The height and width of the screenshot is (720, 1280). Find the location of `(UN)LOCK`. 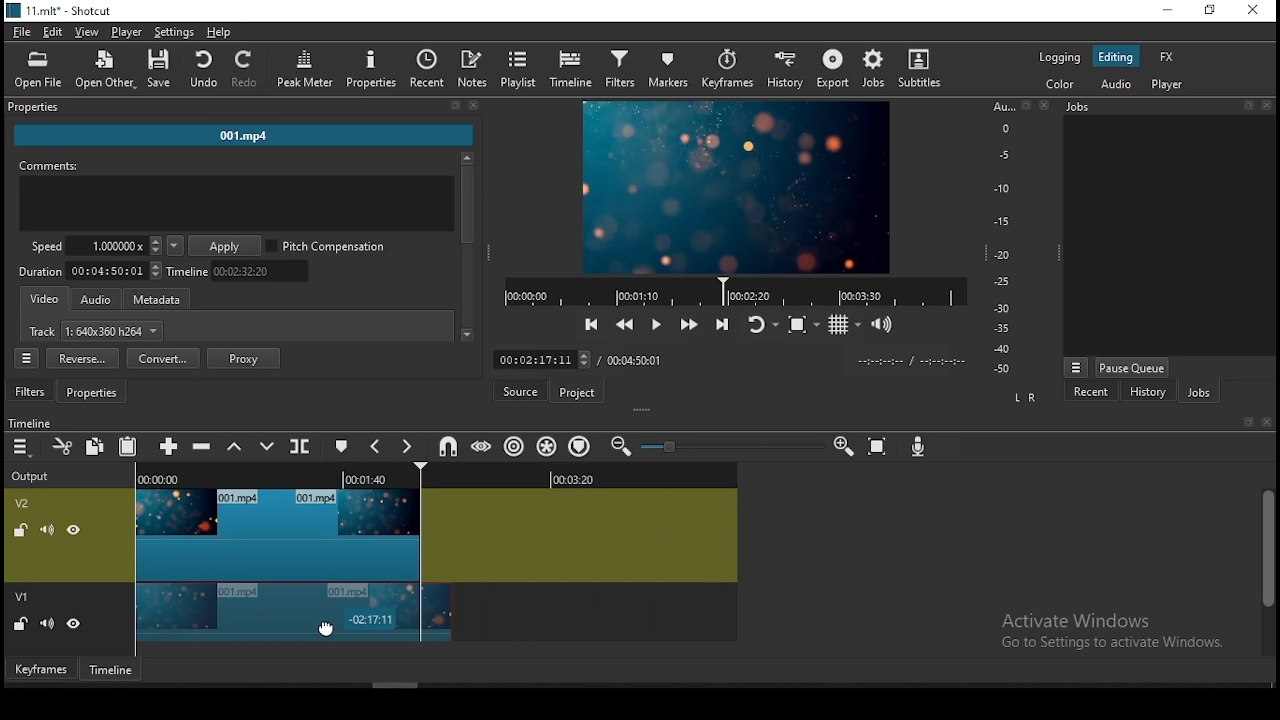

(UN)LOCK is located at coordinates (17, 528).